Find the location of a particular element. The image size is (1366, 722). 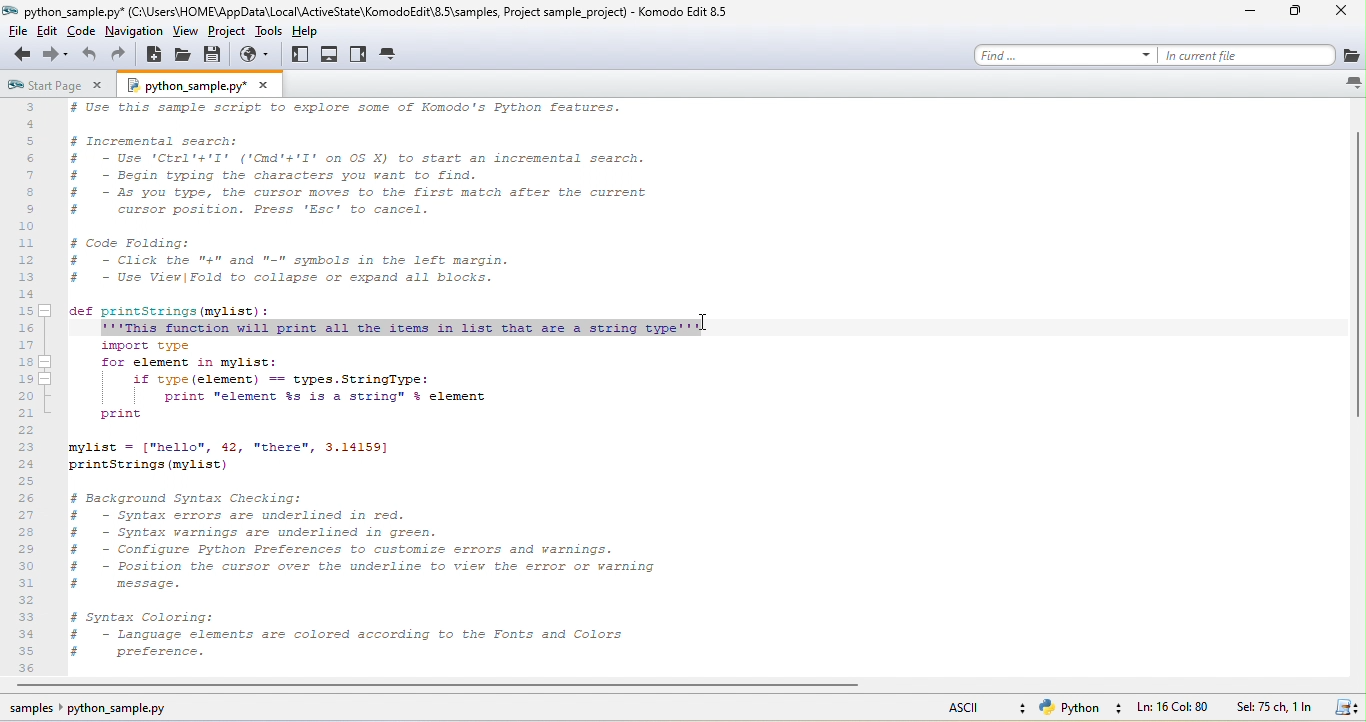

help is located at coordinates (313, 33).